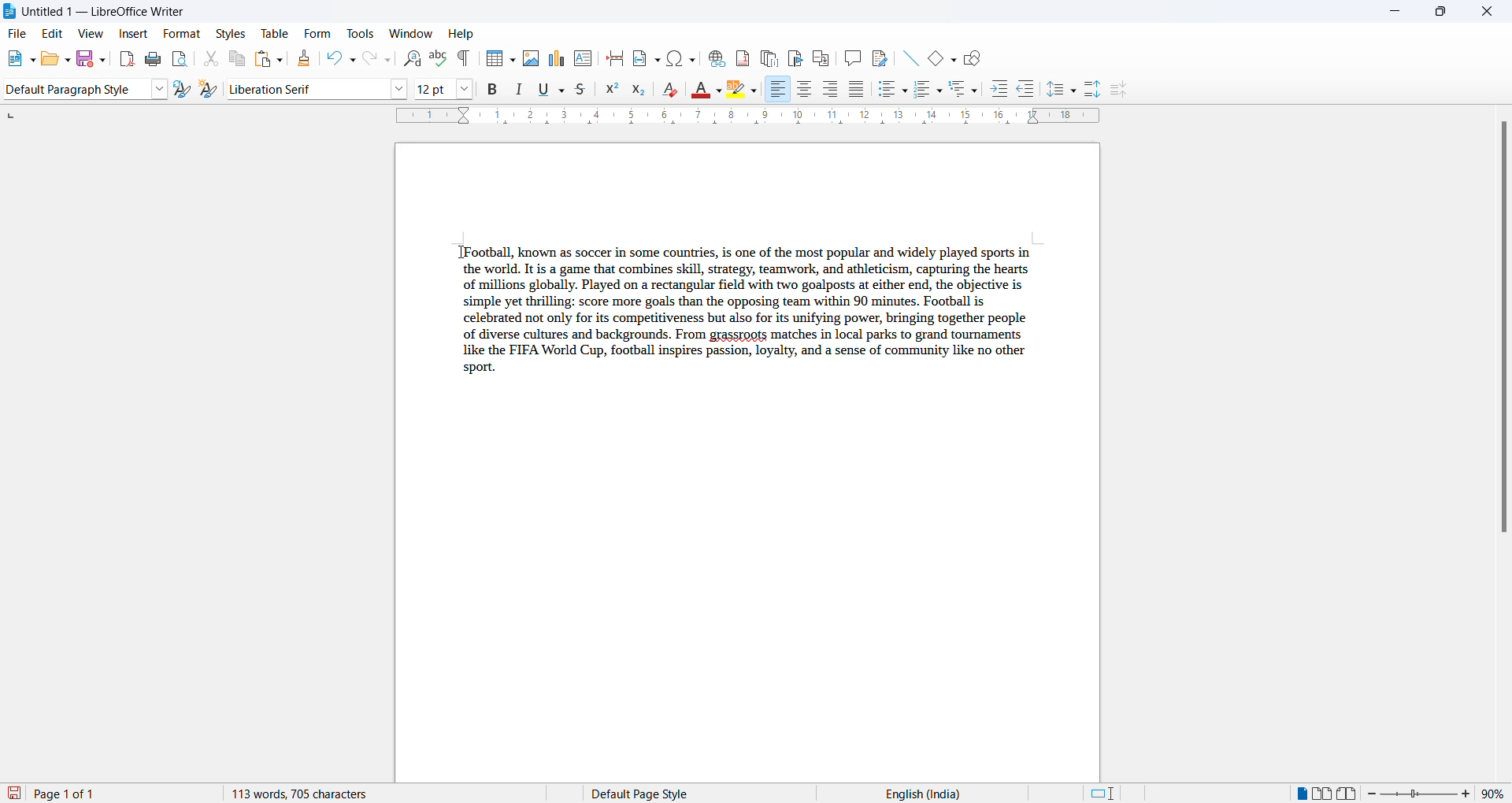 The height and width of the screenshot is (803, 1512). I want to click on font name, so click(306, 88).